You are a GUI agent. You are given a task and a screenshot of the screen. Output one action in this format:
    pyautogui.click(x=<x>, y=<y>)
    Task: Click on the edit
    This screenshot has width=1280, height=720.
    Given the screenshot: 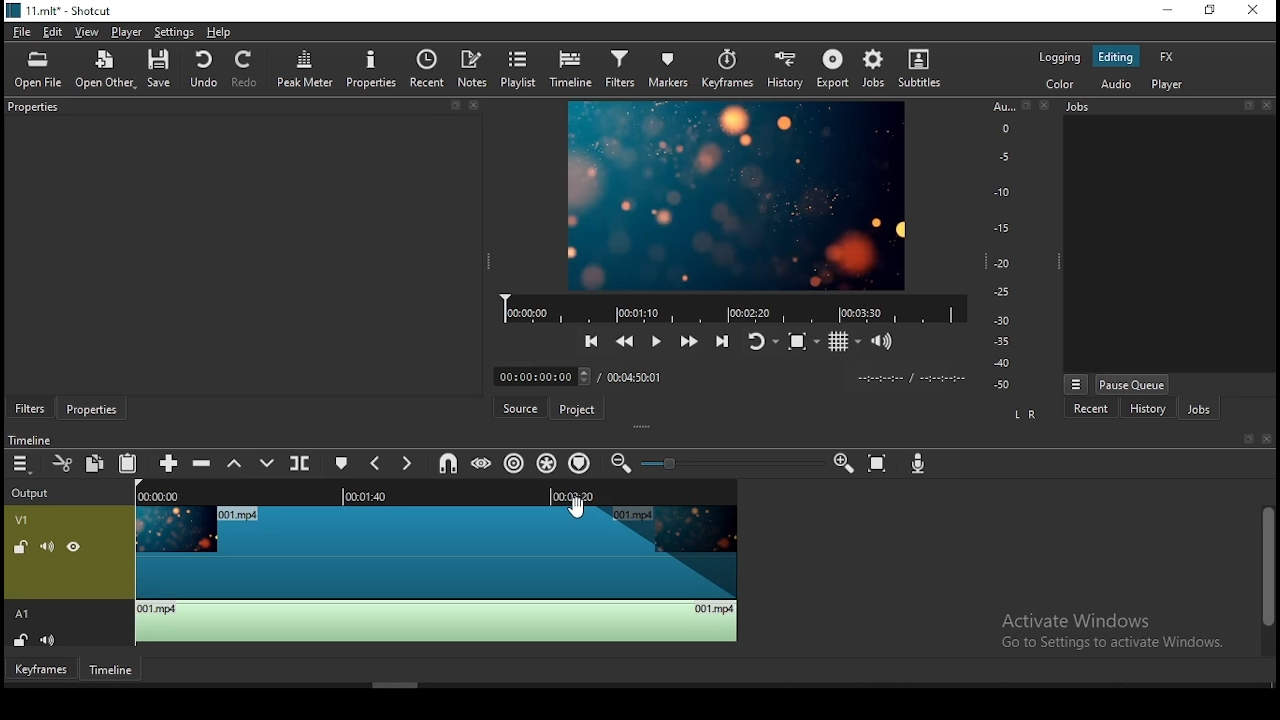 What is the action you would take?
    pyautogui.click(x=54, y=32)
    